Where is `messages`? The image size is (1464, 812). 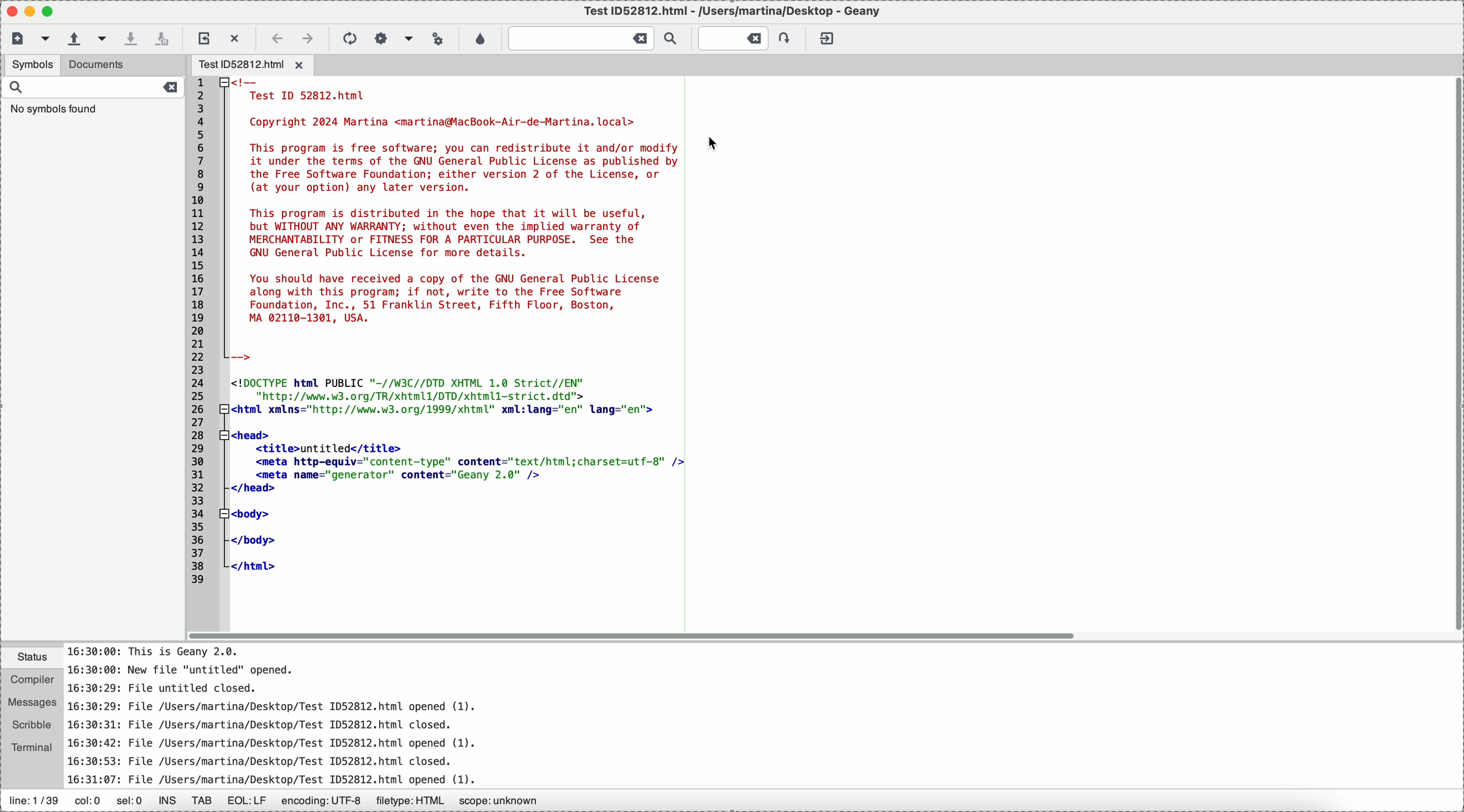
messages is located at coordinates (33, 703).